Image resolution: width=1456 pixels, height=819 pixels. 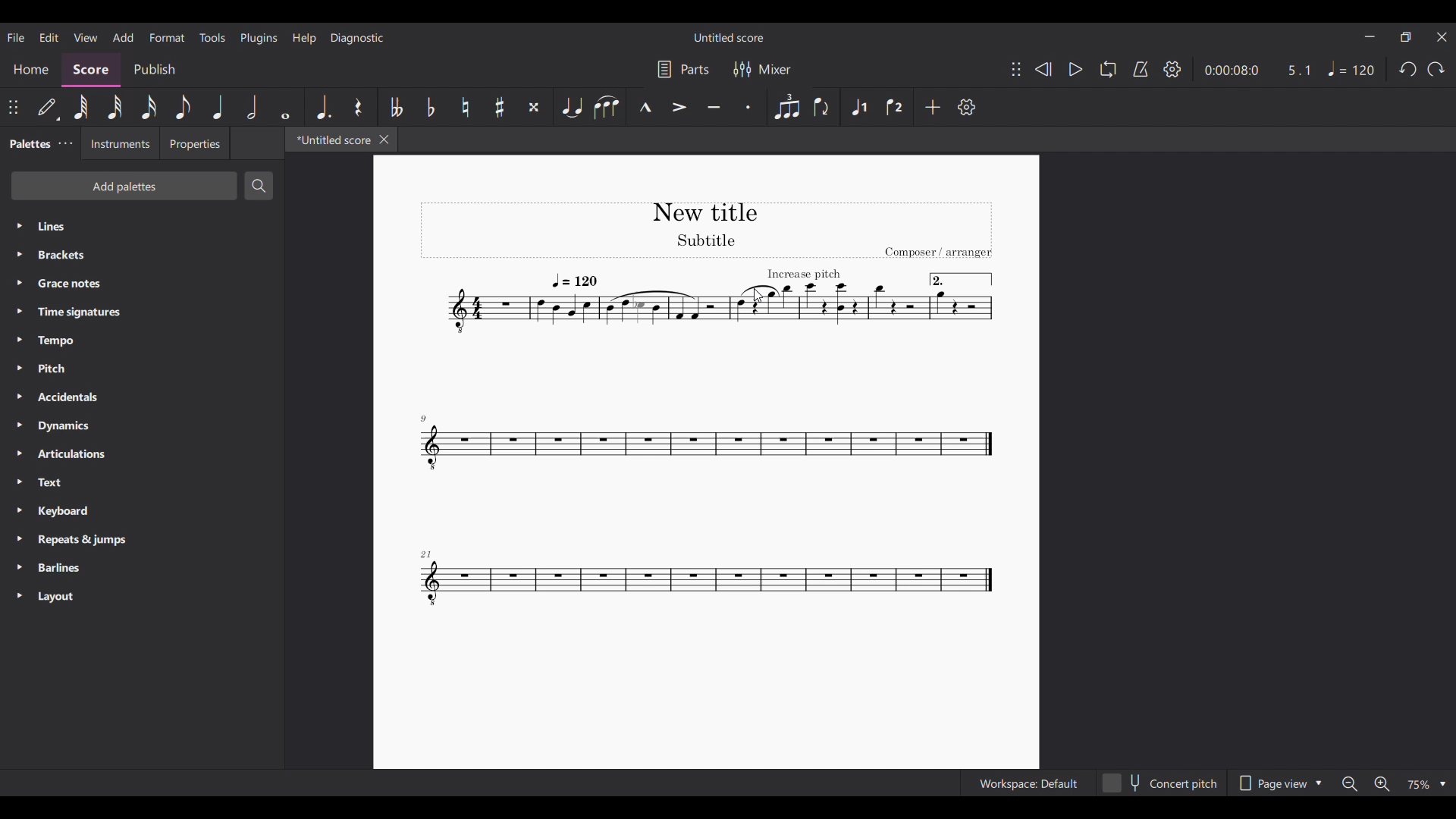 What do you see at coordinates (124, 187) in the screenshot?
I see `Add palettes` at bounding box center [124, 187].